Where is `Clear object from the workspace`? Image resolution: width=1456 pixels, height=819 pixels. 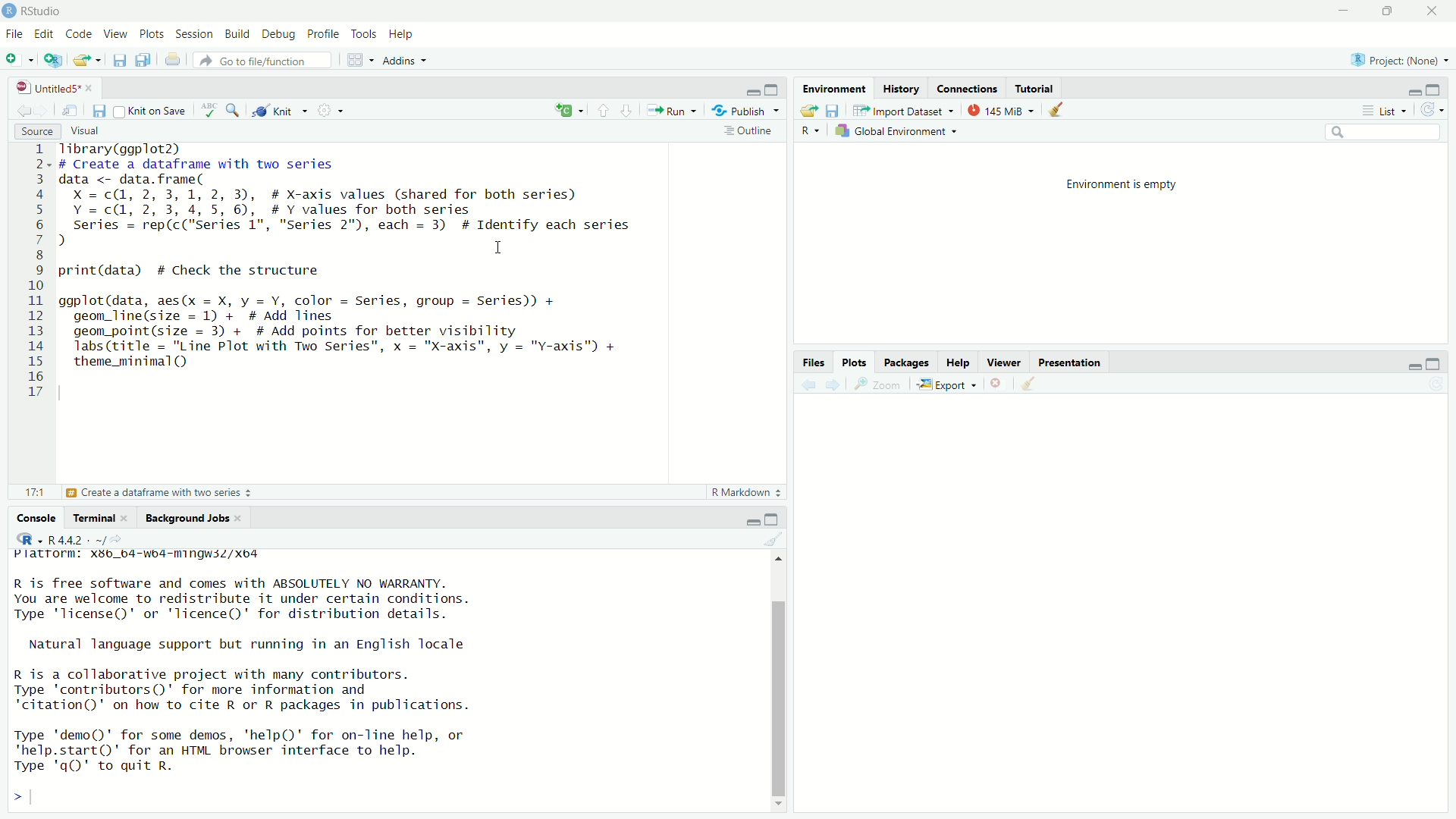
Clear object from the workspace is located at coordinates (773, 539).